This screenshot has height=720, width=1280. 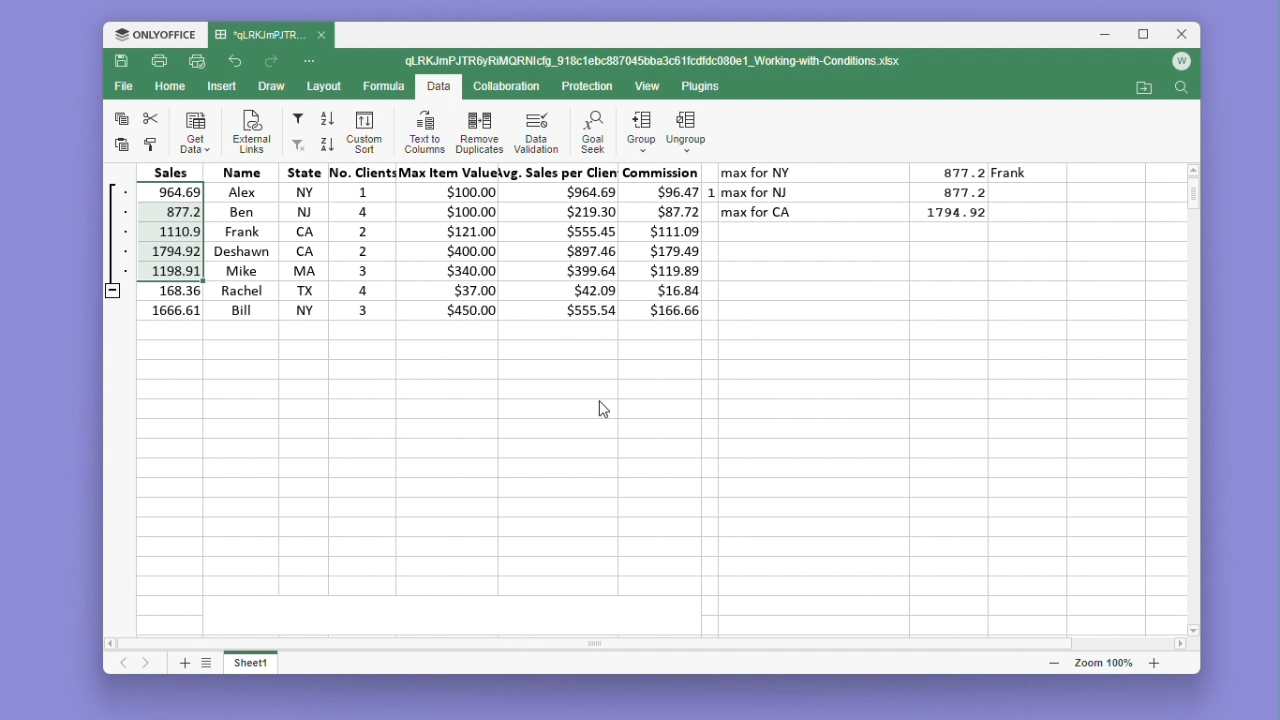 I want to click on Go back , so click(x=238, y=62).